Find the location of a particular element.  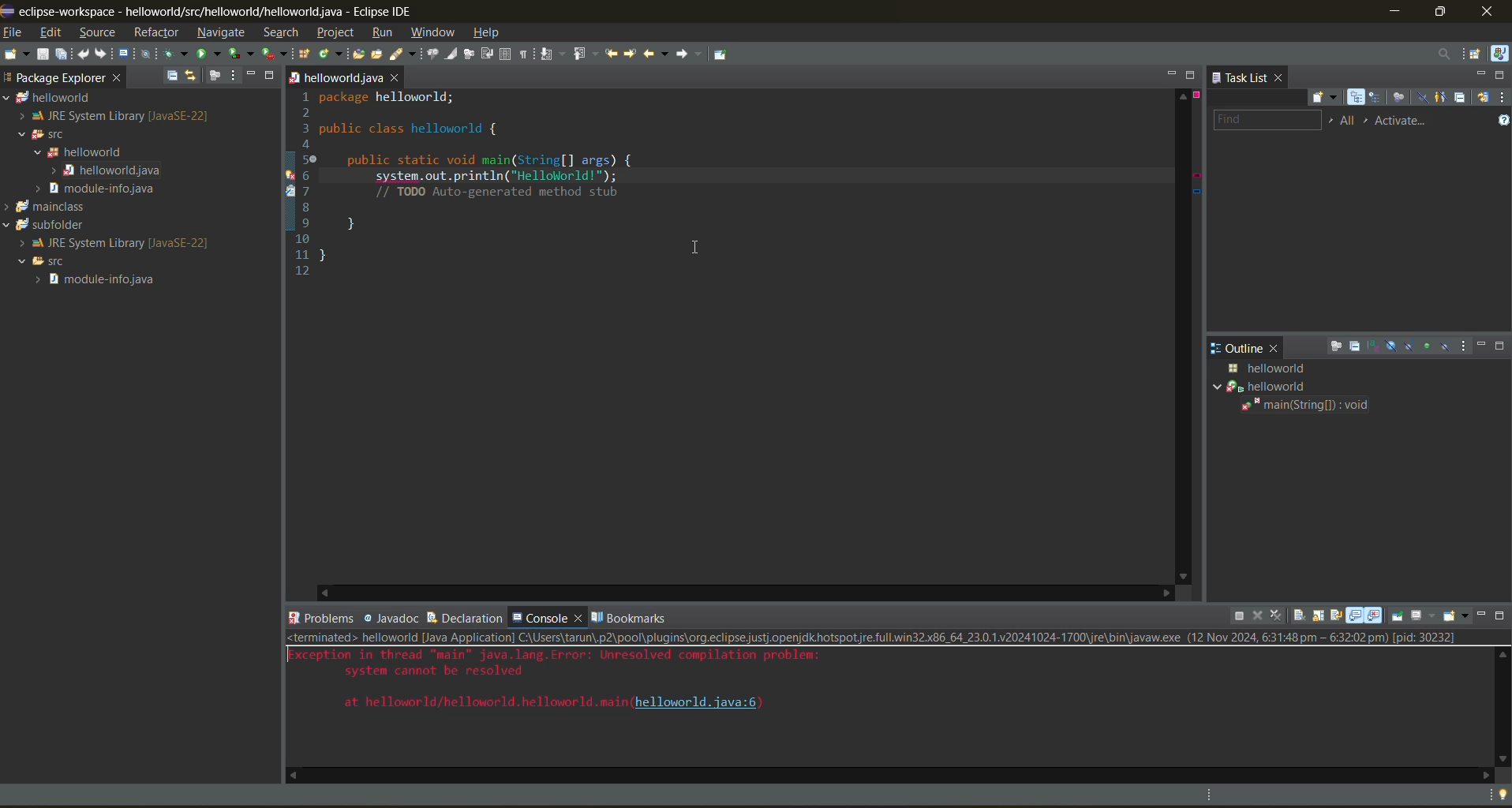

mainclass is located at coordinates (71, 208).